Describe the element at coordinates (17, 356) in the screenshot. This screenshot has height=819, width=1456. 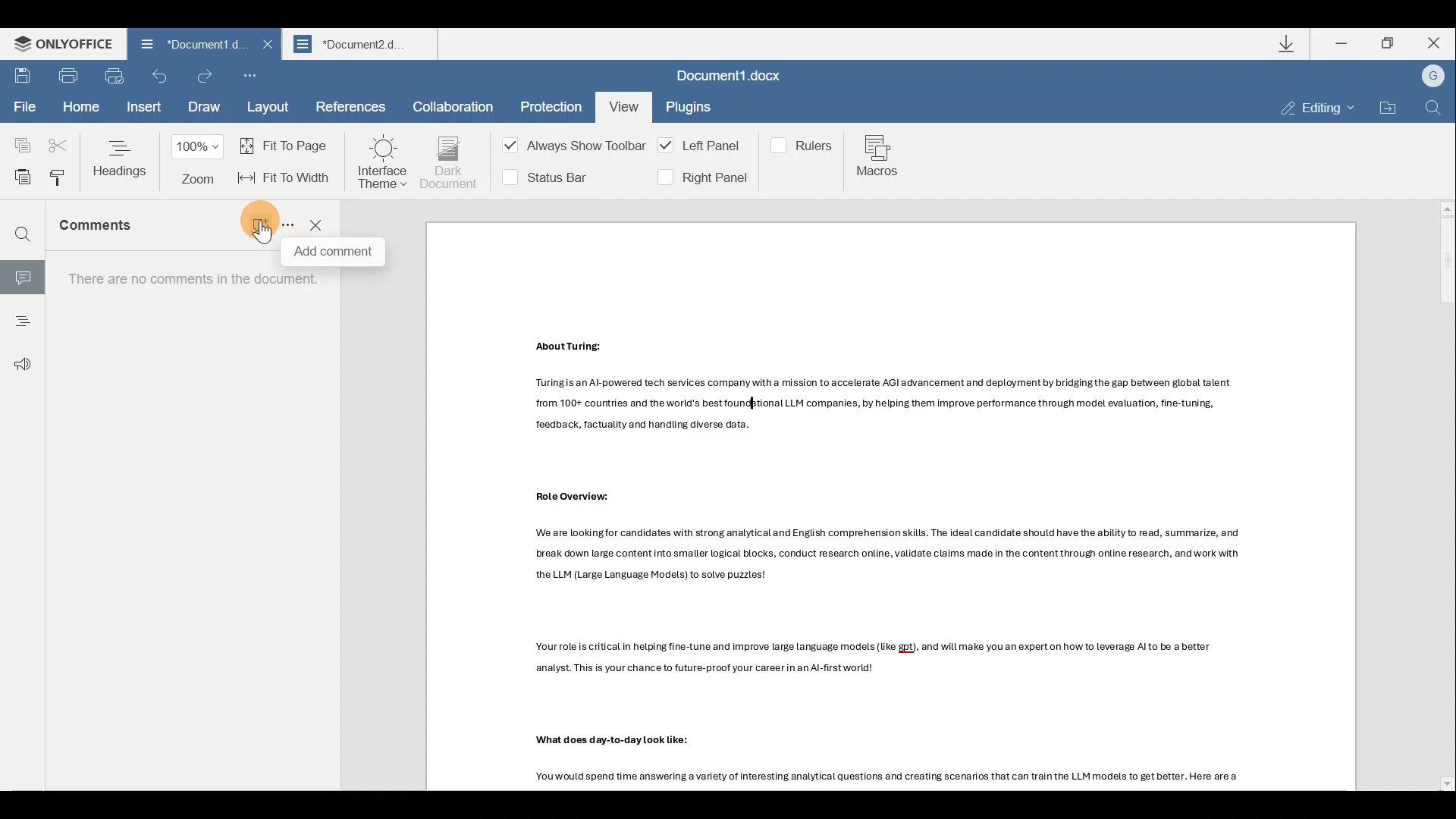
I see `Feedback & support` at that location.